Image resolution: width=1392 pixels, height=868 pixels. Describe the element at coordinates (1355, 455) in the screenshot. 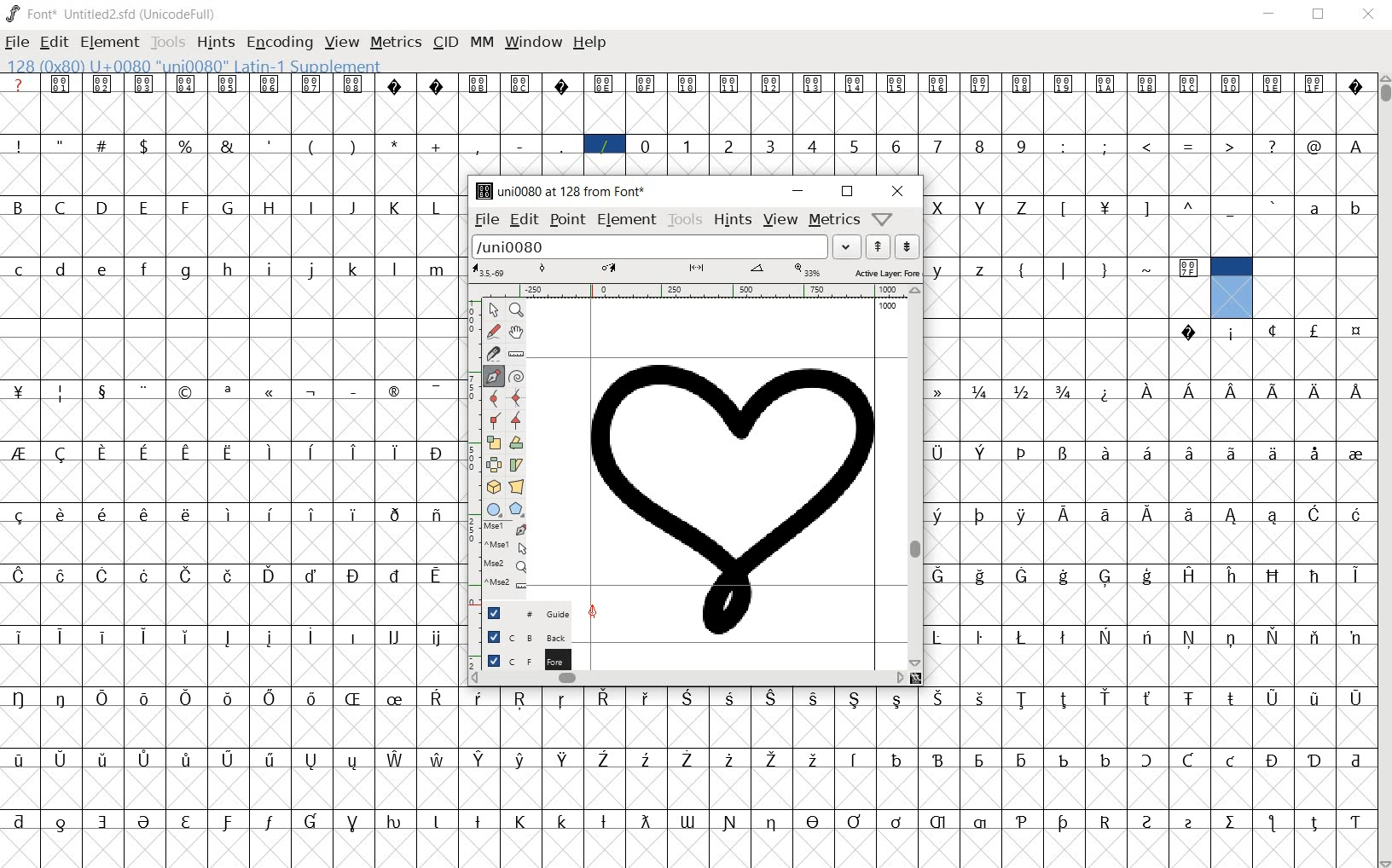

I see `glyph` at that location.